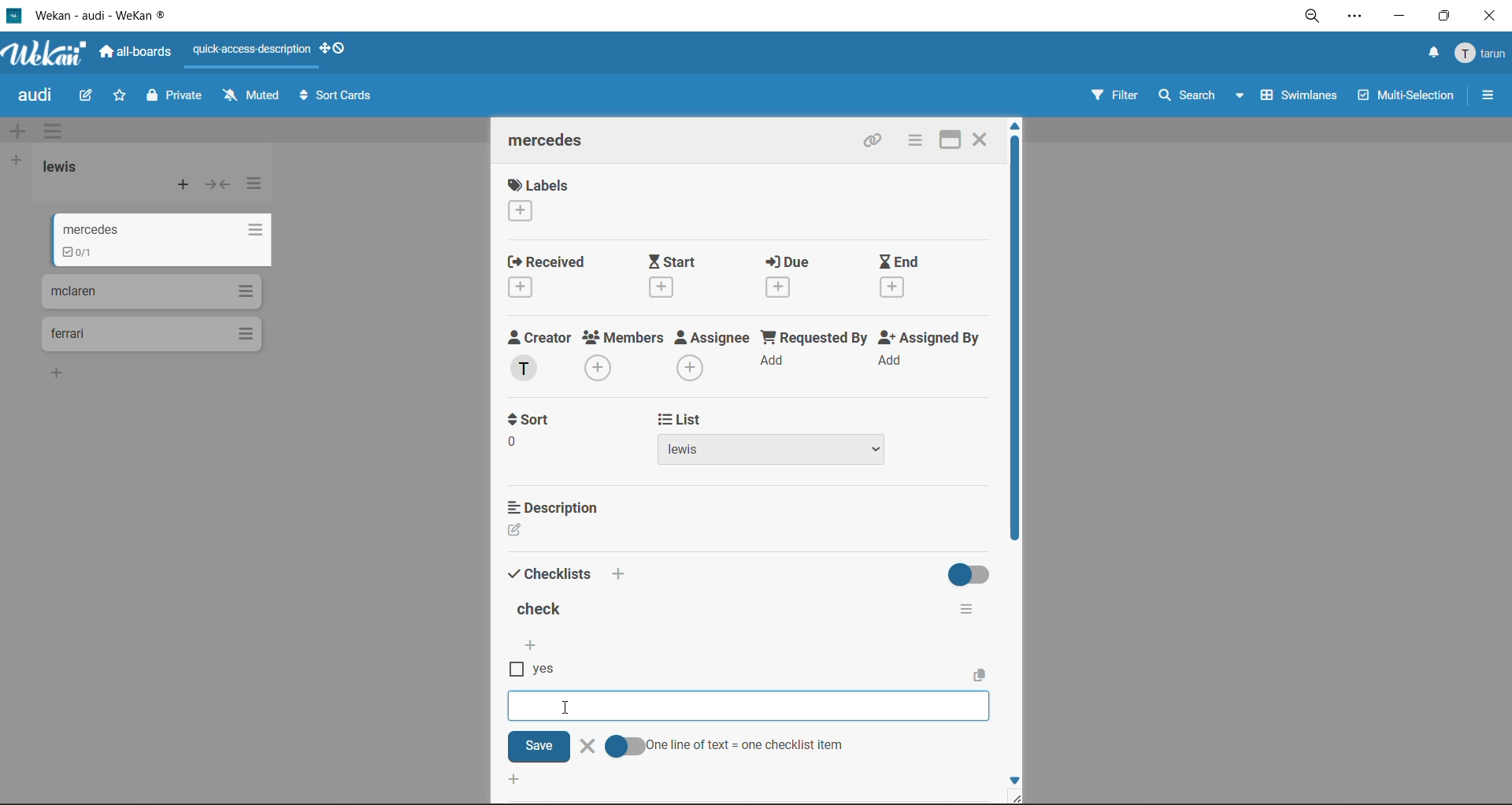 The width and height of the screenshot is (1512, 805). I want to click on multiselection, so click(1407, 98).